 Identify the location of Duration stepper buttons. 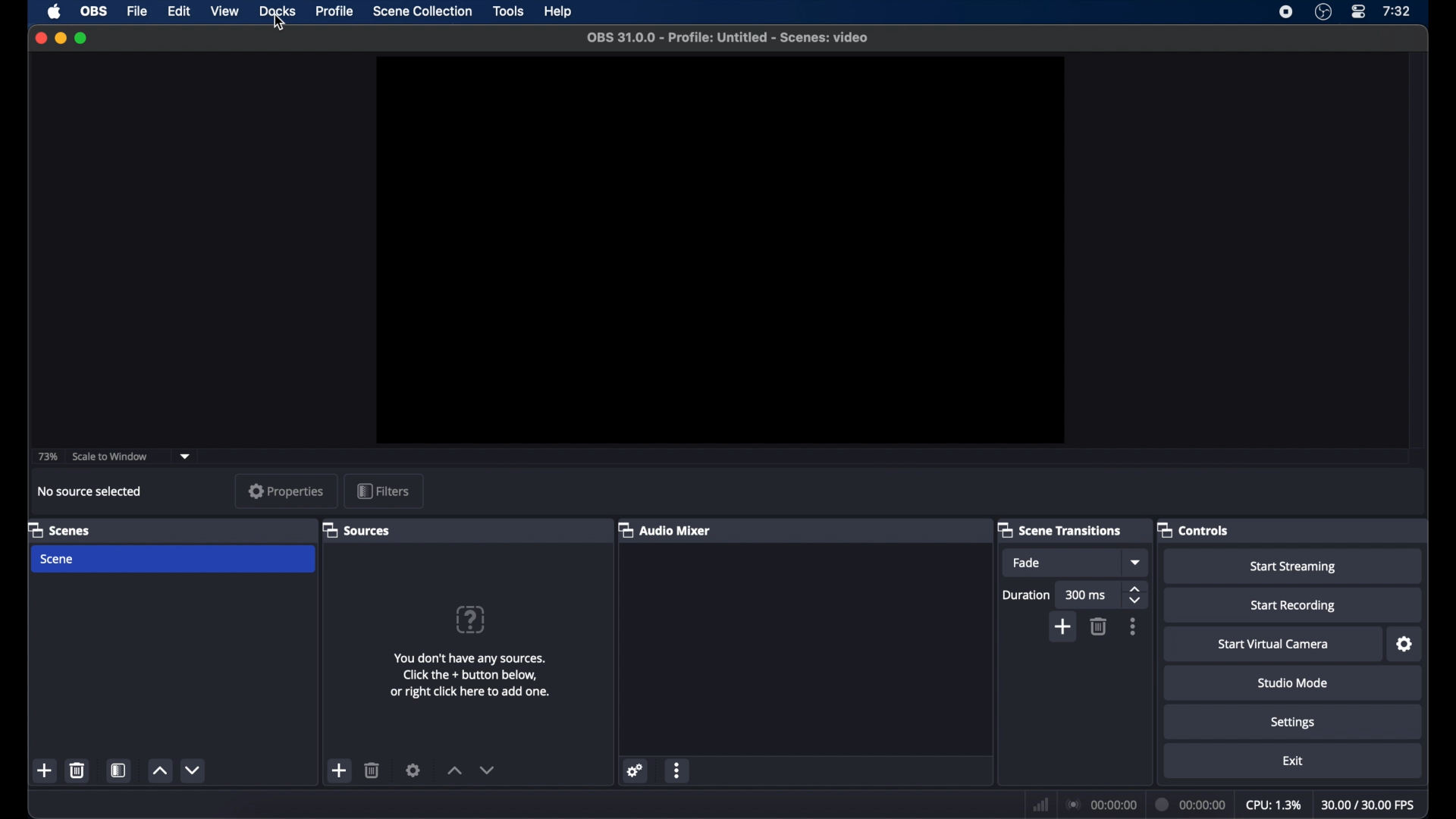
(1136, 596).